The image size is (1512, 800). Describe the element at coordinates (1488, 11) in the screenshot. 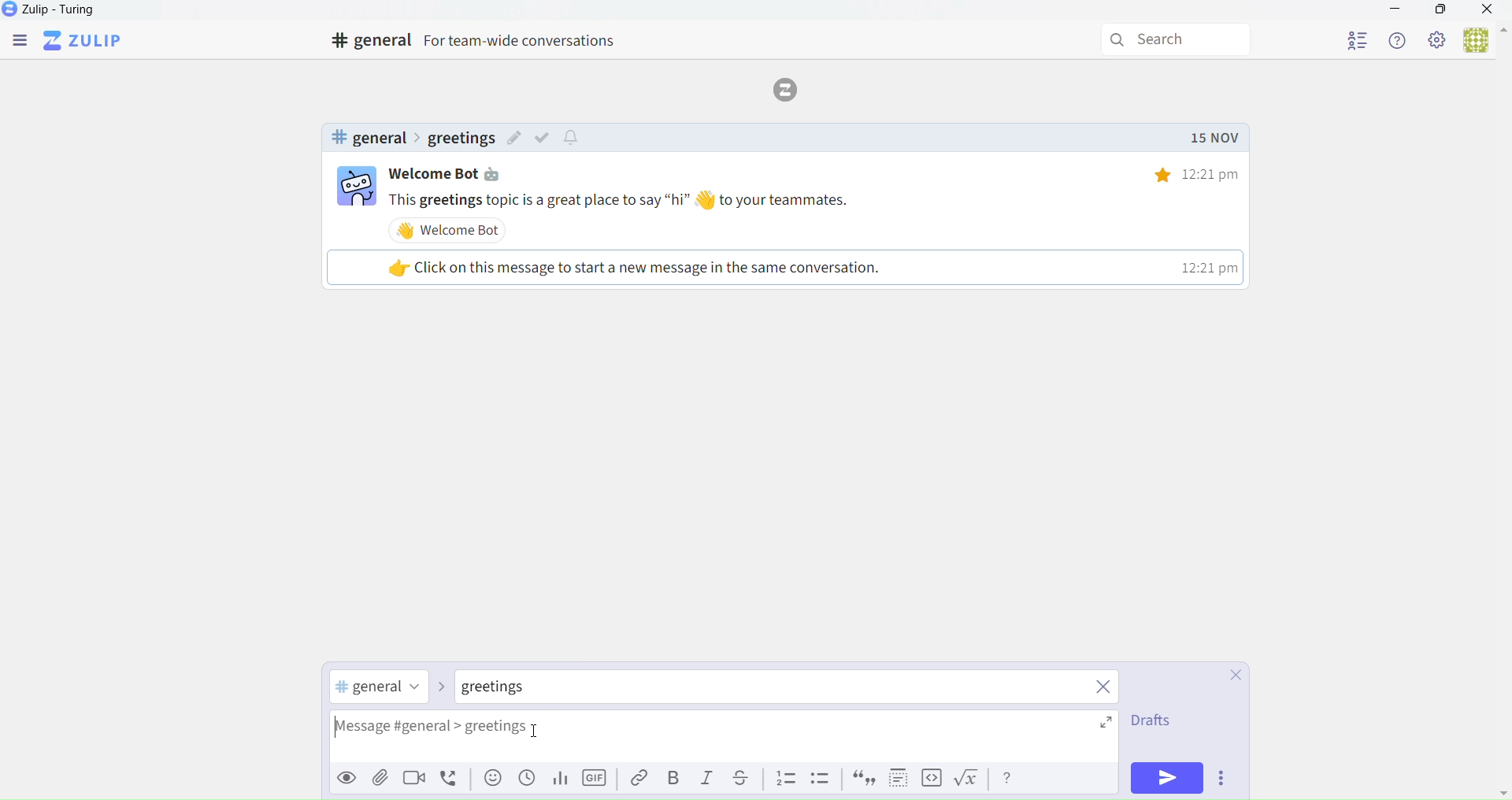

I see `Close` at that location.